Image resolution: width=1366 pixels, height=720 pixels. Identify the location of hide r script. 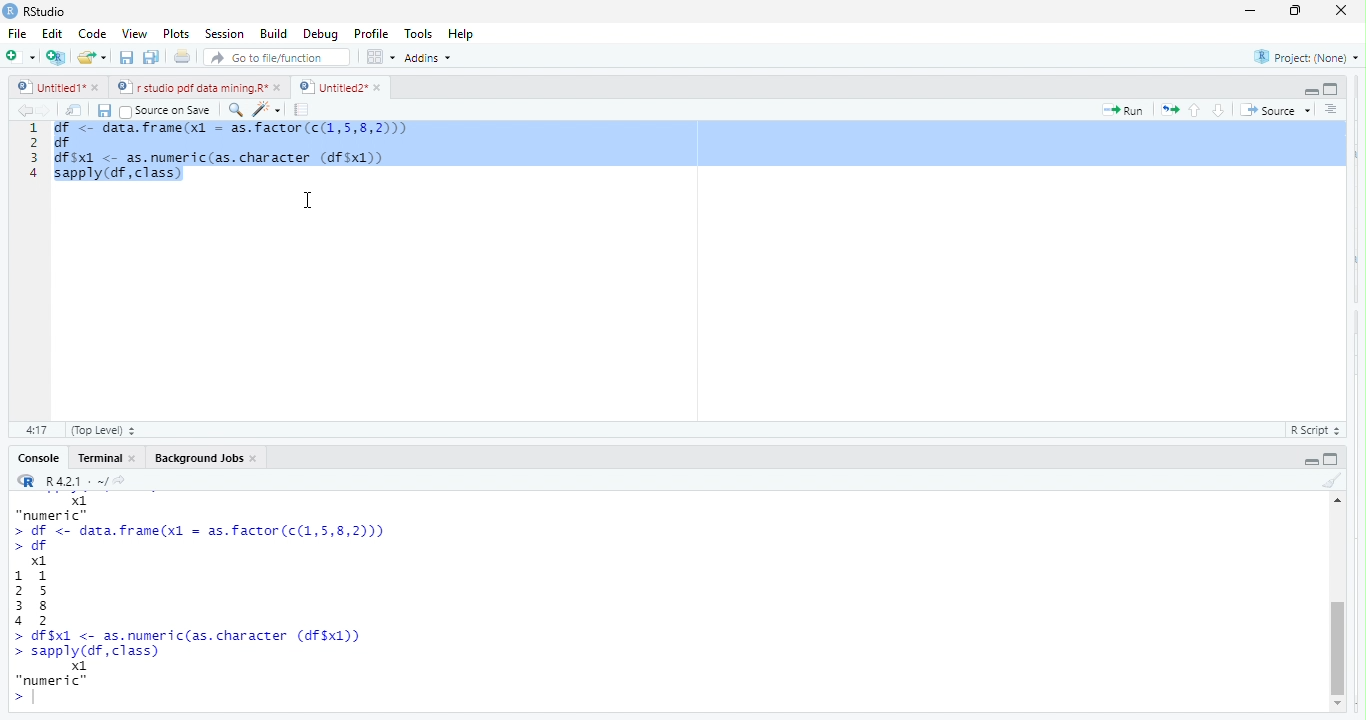
(1308, 91).